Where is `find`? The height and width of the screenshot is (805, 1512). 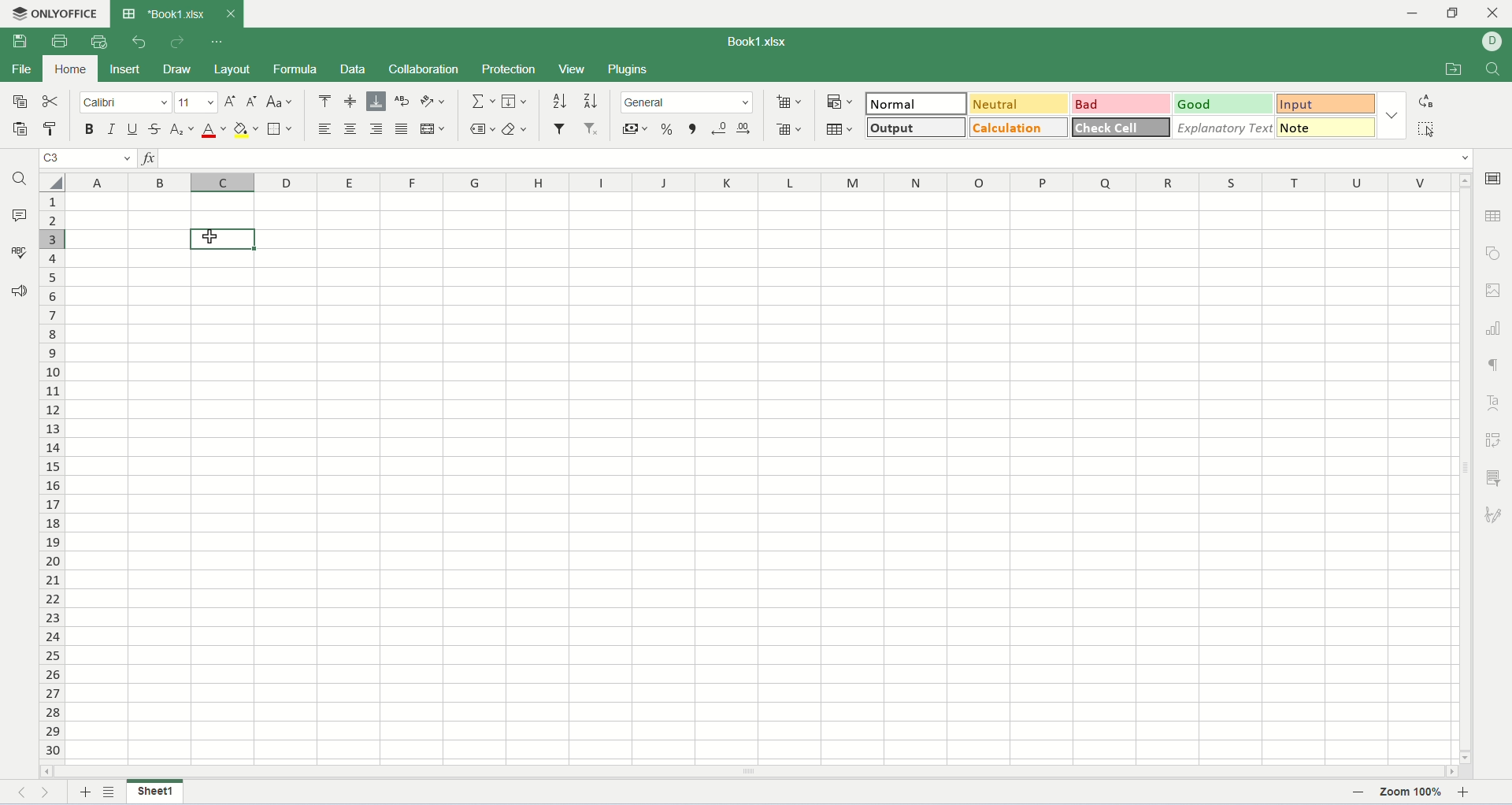 find is located at coordinates (1496, 70).